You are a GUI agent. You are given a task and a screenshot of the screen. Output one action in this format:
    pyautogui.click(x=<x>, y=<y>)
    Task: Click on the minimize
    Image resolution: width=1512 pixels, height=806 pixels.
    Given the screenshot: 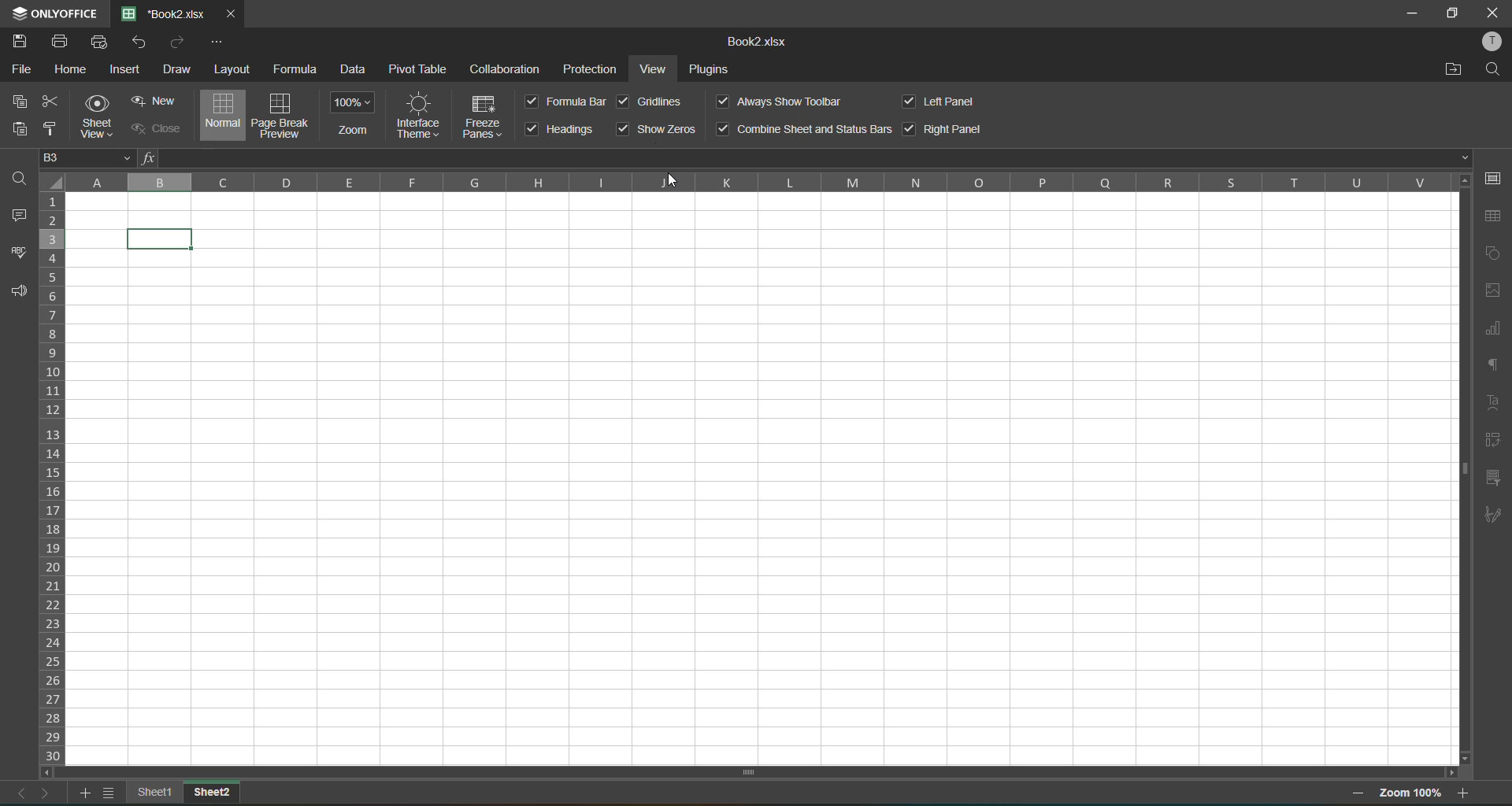 What is the action you would take?
    pyautogui.click(x=1414, y=14)
    